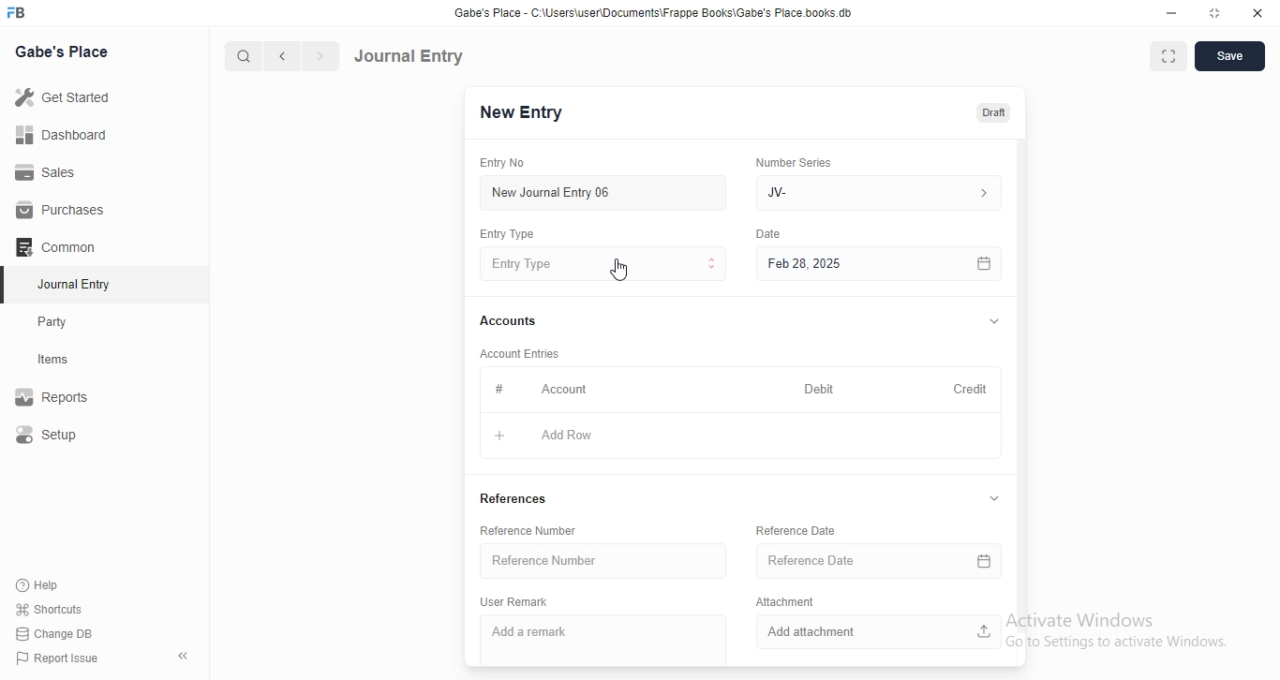 The height and width of the screenshot is (680, 1280). What do you see at coordinates (179, 657) in the screenshot?
I see `hide` at bounding box center [179, 657].